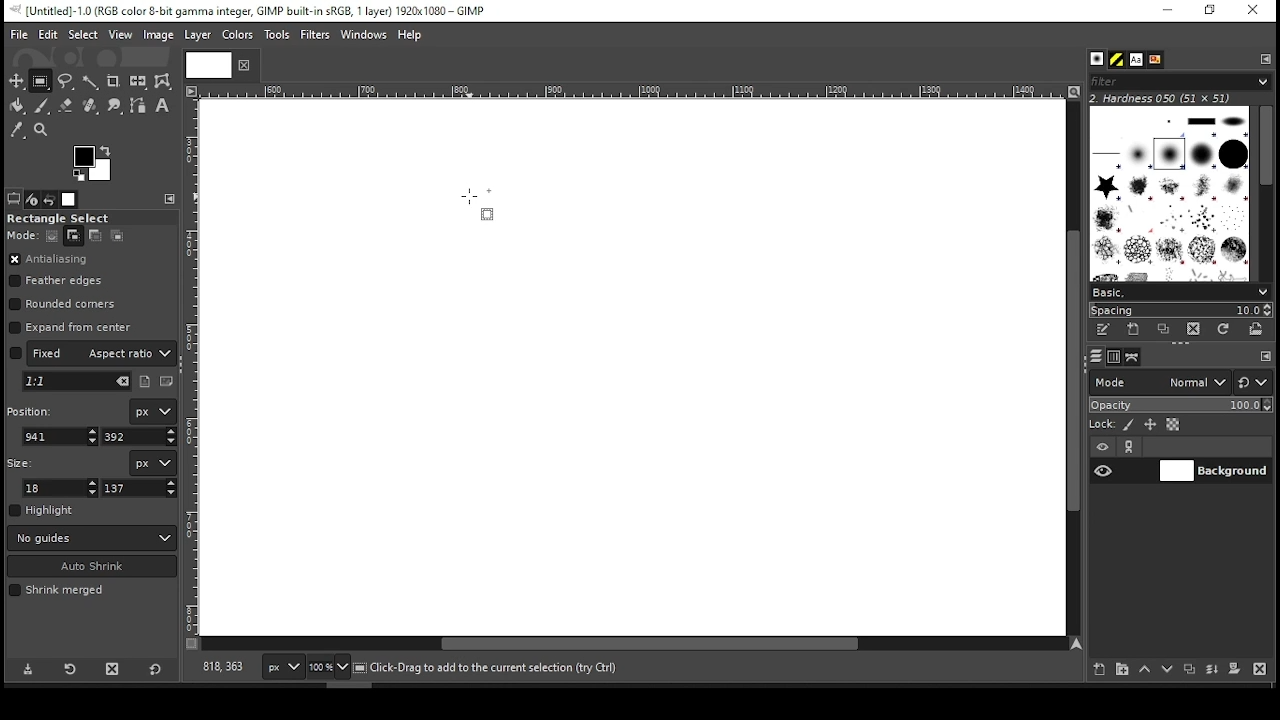 Image resolution: width=1280 pixels, height=720 pixels. What do you see at coordinates (65, 304) in the screenshot?
I see `rounded corners` at bounding box center [65, 304].